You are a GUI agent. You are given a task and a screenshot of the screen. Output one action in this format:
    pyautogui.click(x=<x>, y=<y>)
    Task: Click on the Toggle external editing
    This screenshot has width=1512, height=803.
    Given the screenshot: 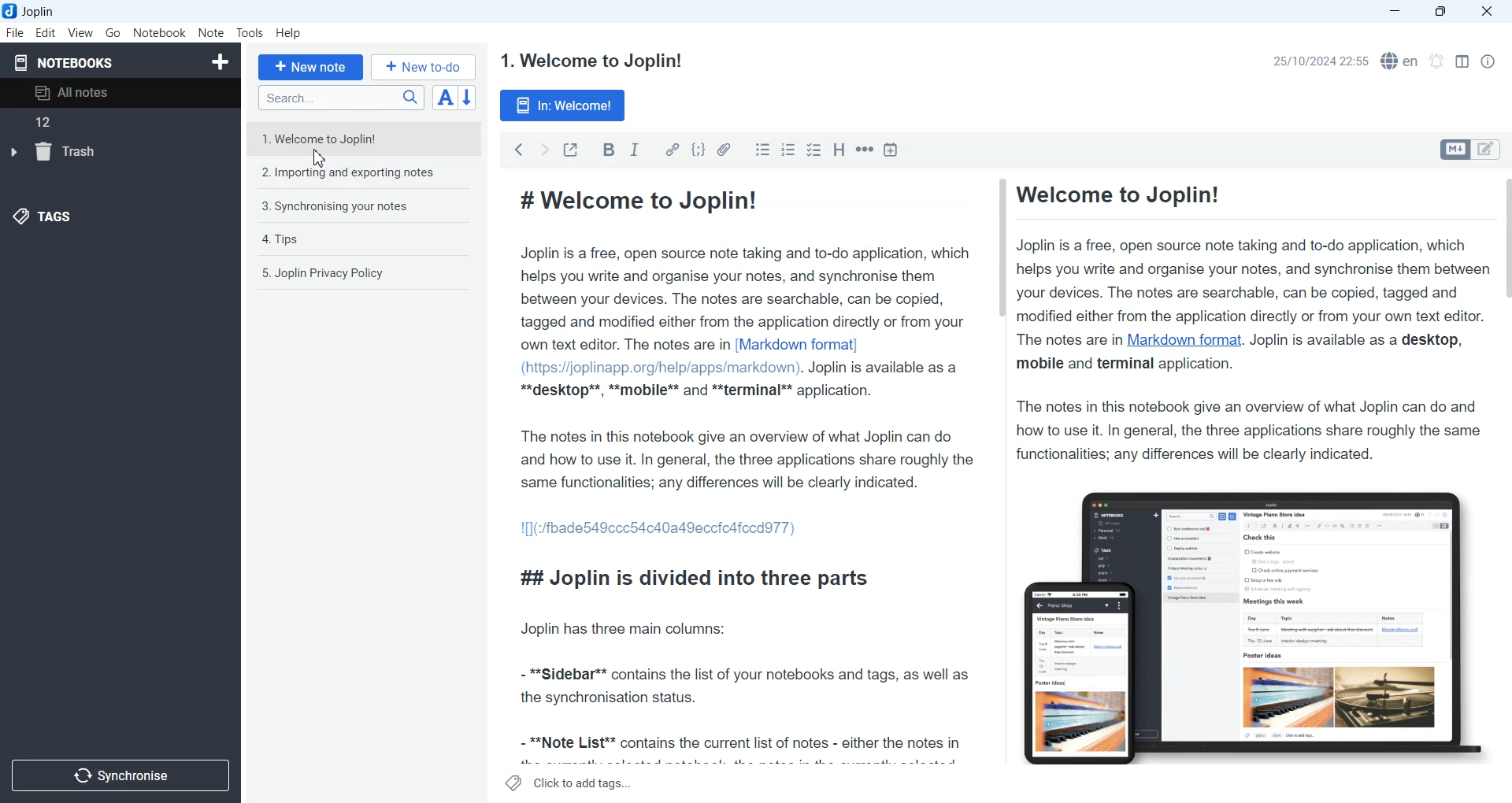 What is the action you would take?
    pyautogui.click(x=570, y=149)
    